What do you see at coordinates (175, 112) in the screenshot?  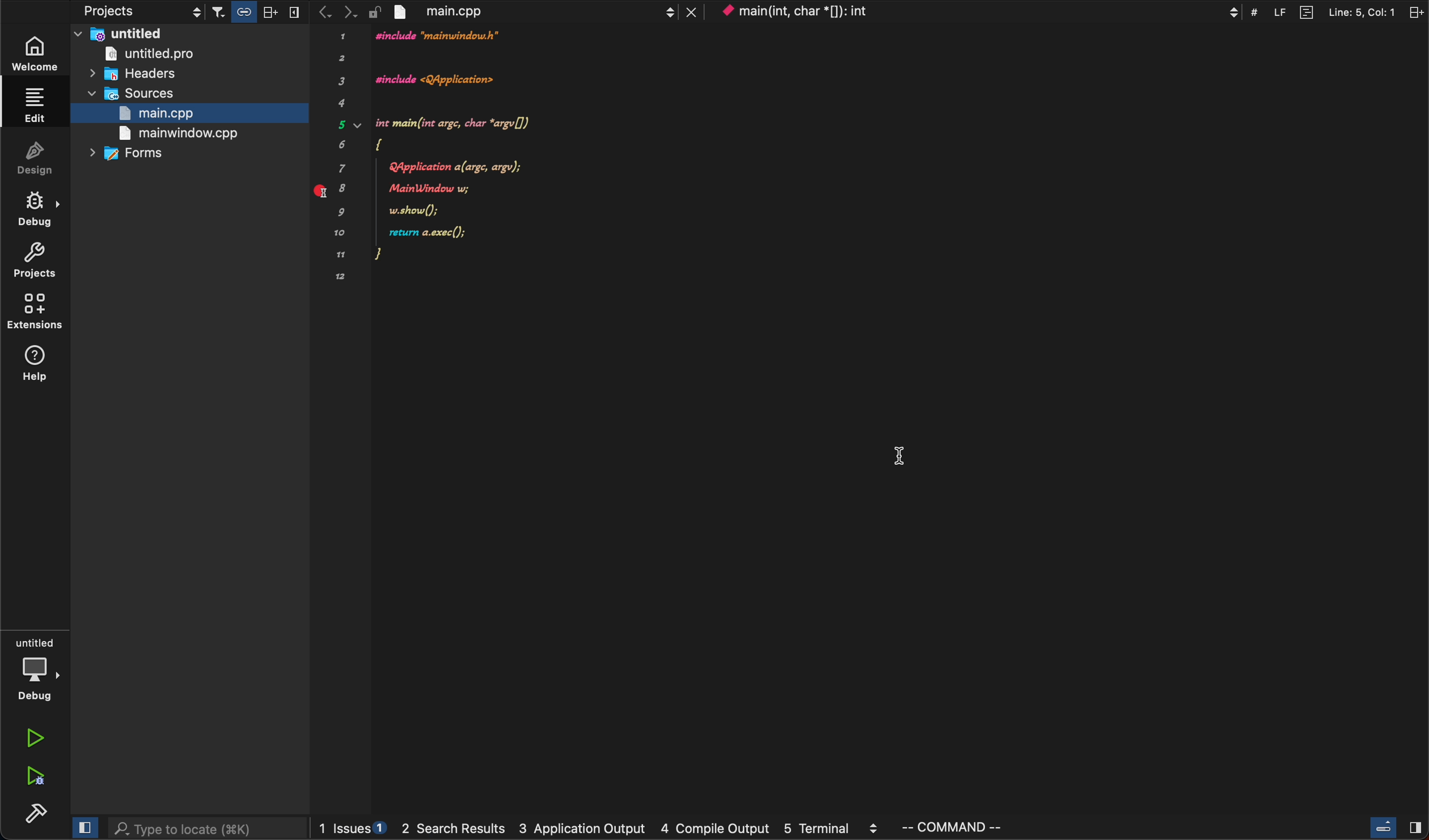 I see `main>cpp` at bounding box center [175, 112].